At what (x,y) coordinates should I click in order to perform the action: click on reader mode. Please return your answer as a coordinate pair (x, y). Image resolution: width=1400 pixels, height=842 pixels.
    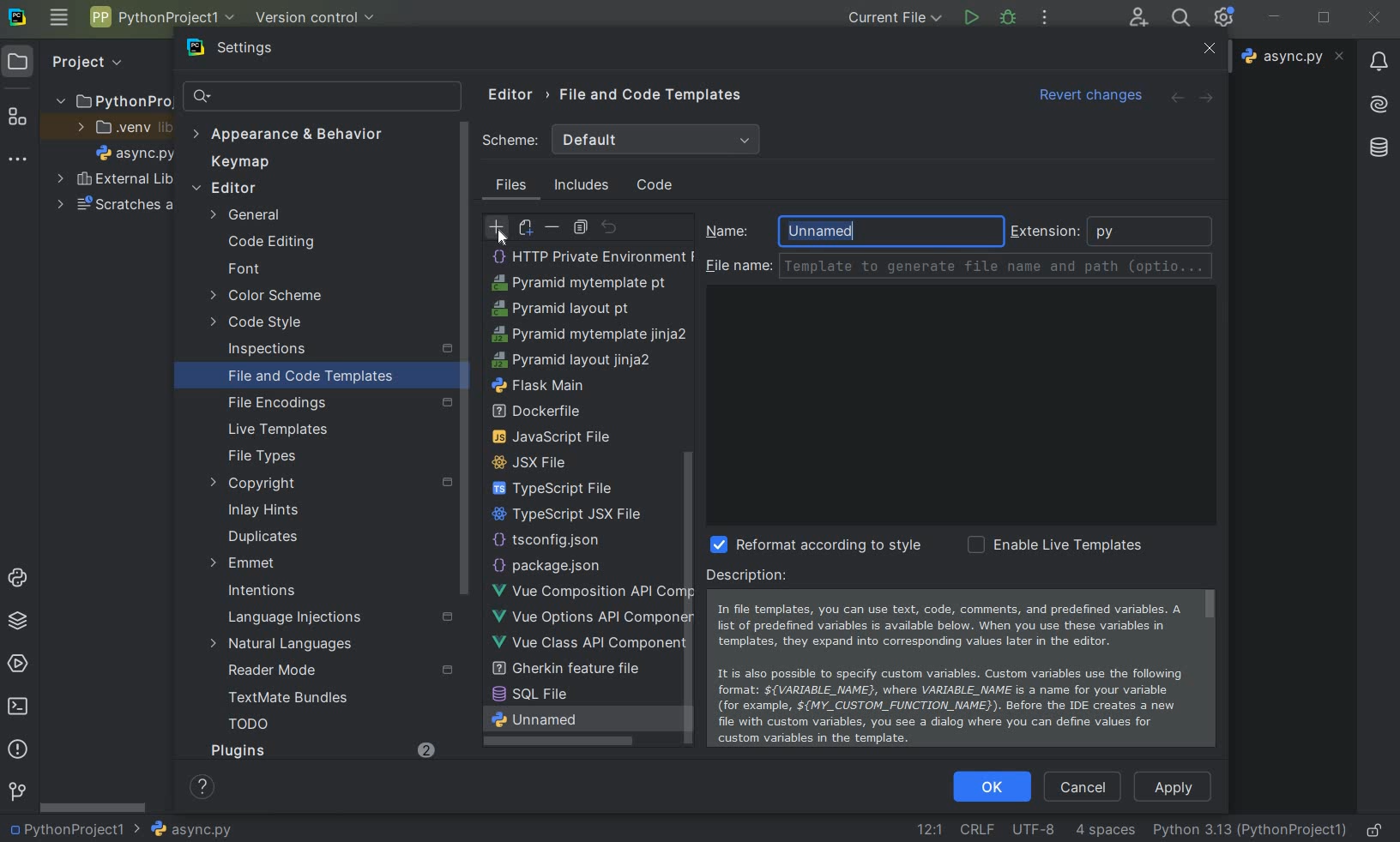
    Looking at the image, I should click on (344, 673).